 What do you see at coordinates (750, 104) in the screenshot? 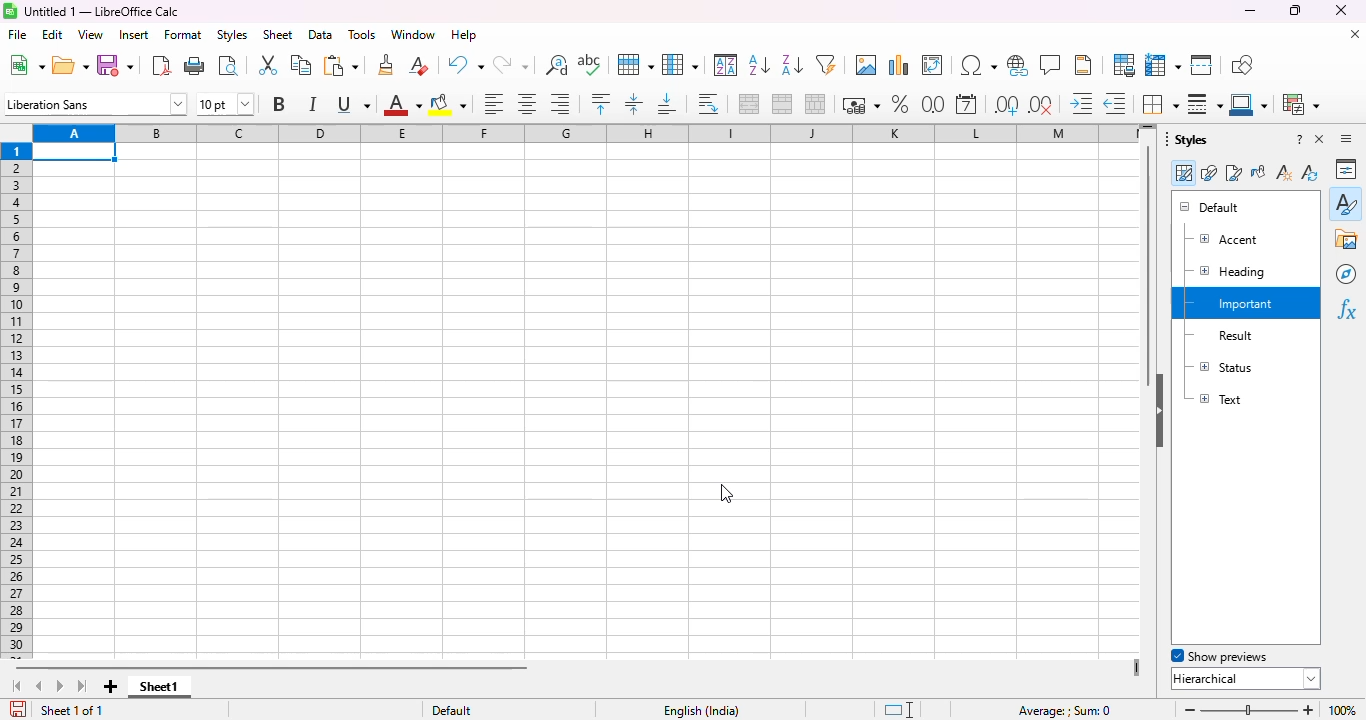
I see `merge and center or unmerge cells depending on the current toggle state` at bounding box center [750, 104].